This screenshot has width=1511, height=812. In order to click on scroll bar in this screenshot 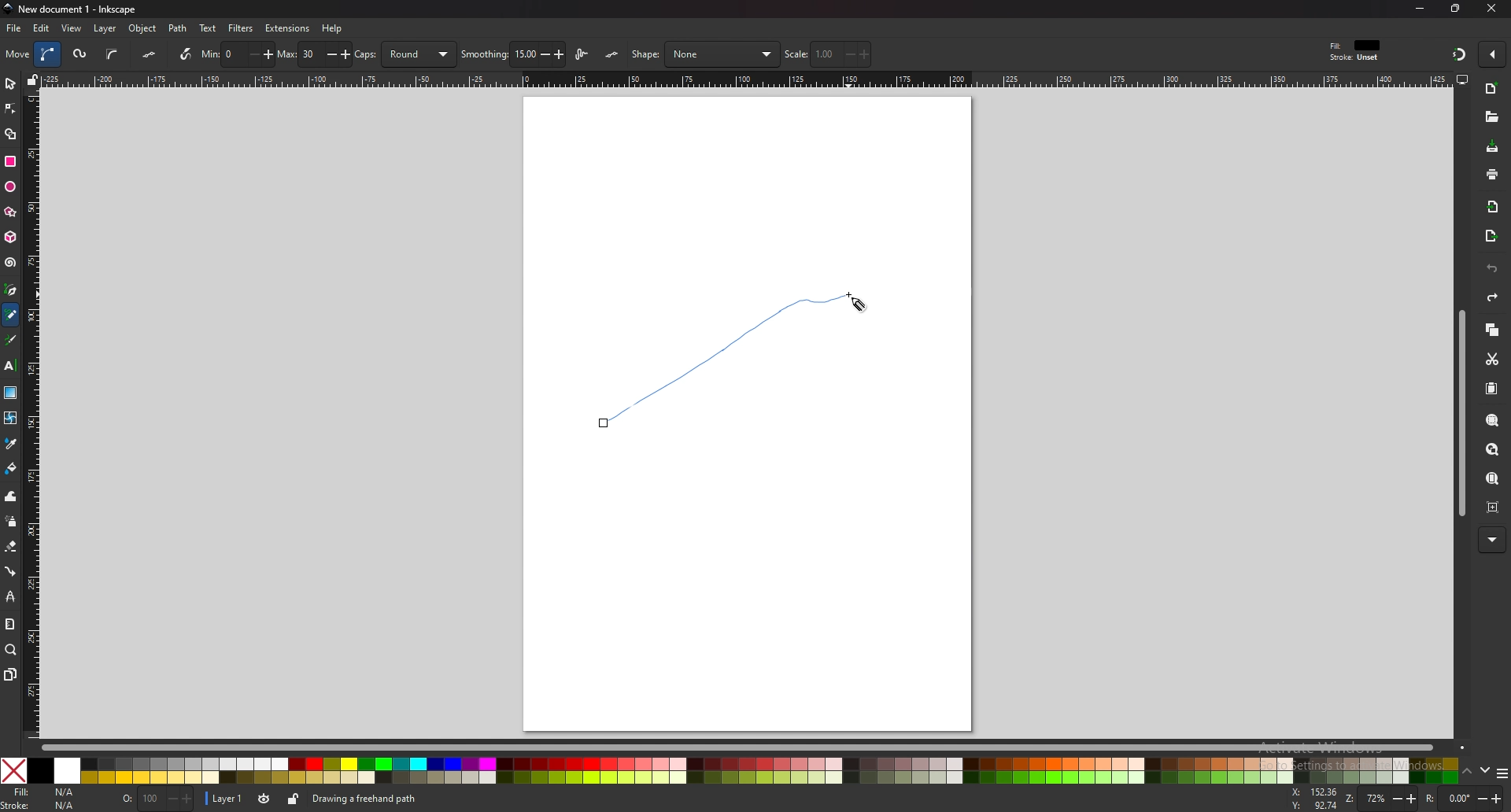, I will do `click(1461, 414)`.